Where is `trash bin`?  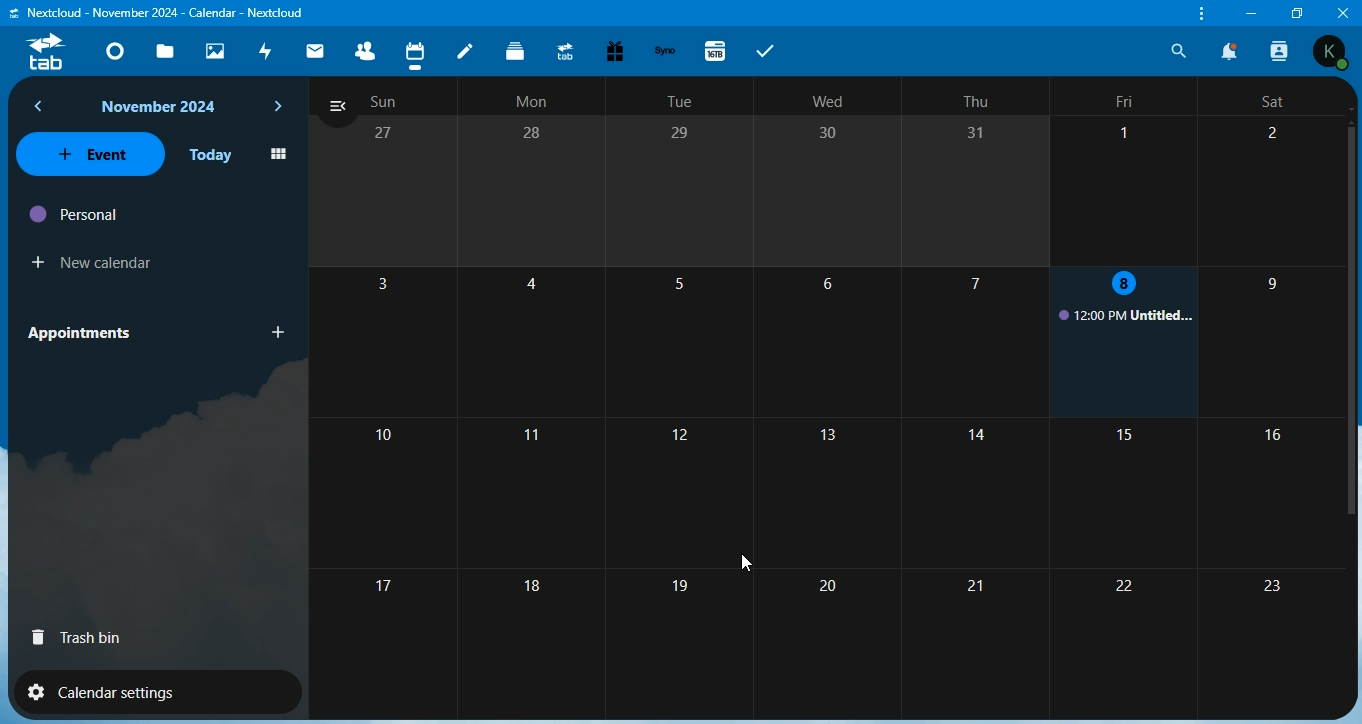
trash bin is located at coordinates (74, 638).